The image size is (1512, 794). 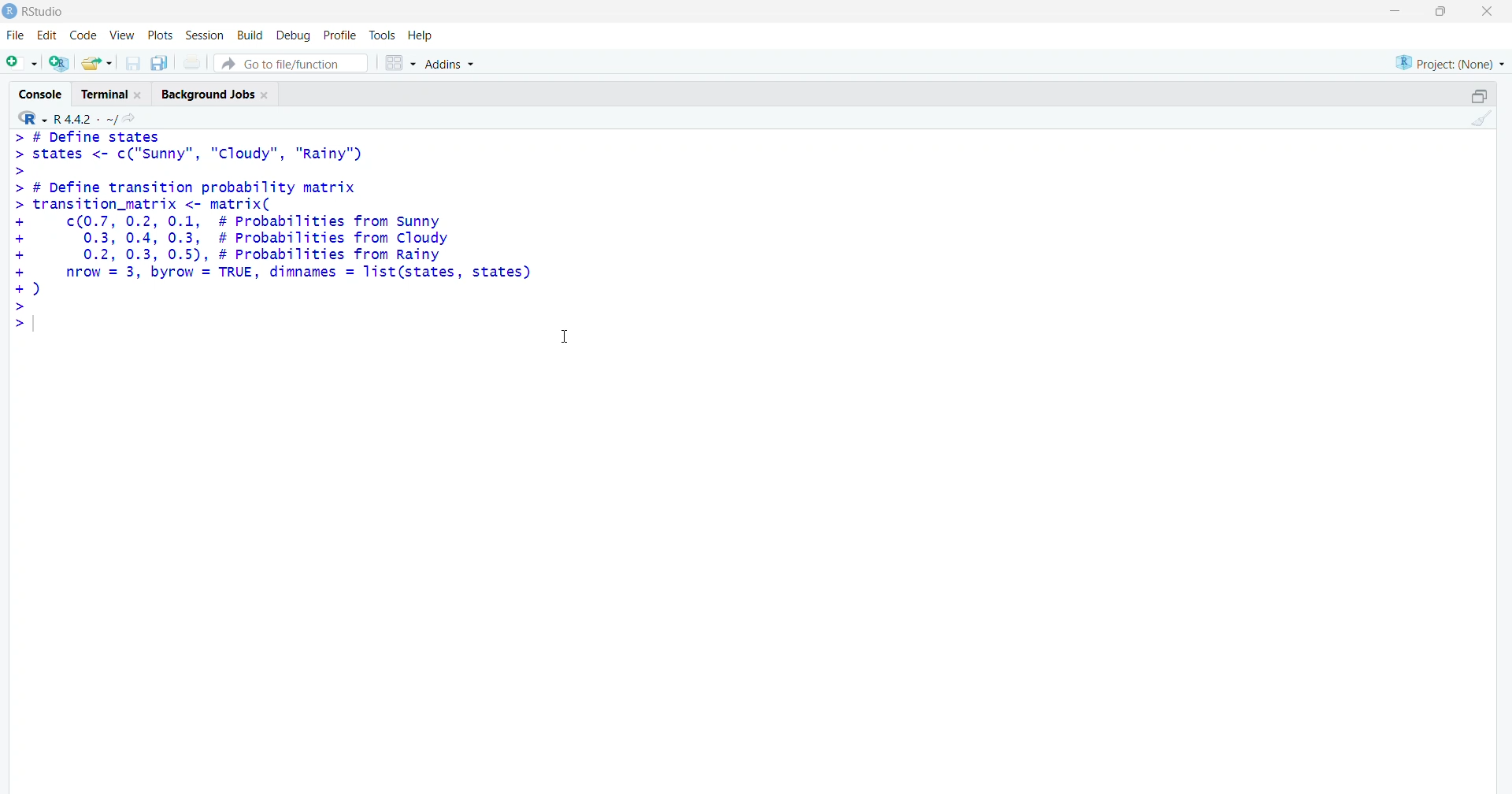 I want to click on console, so click(x=39, y=93).